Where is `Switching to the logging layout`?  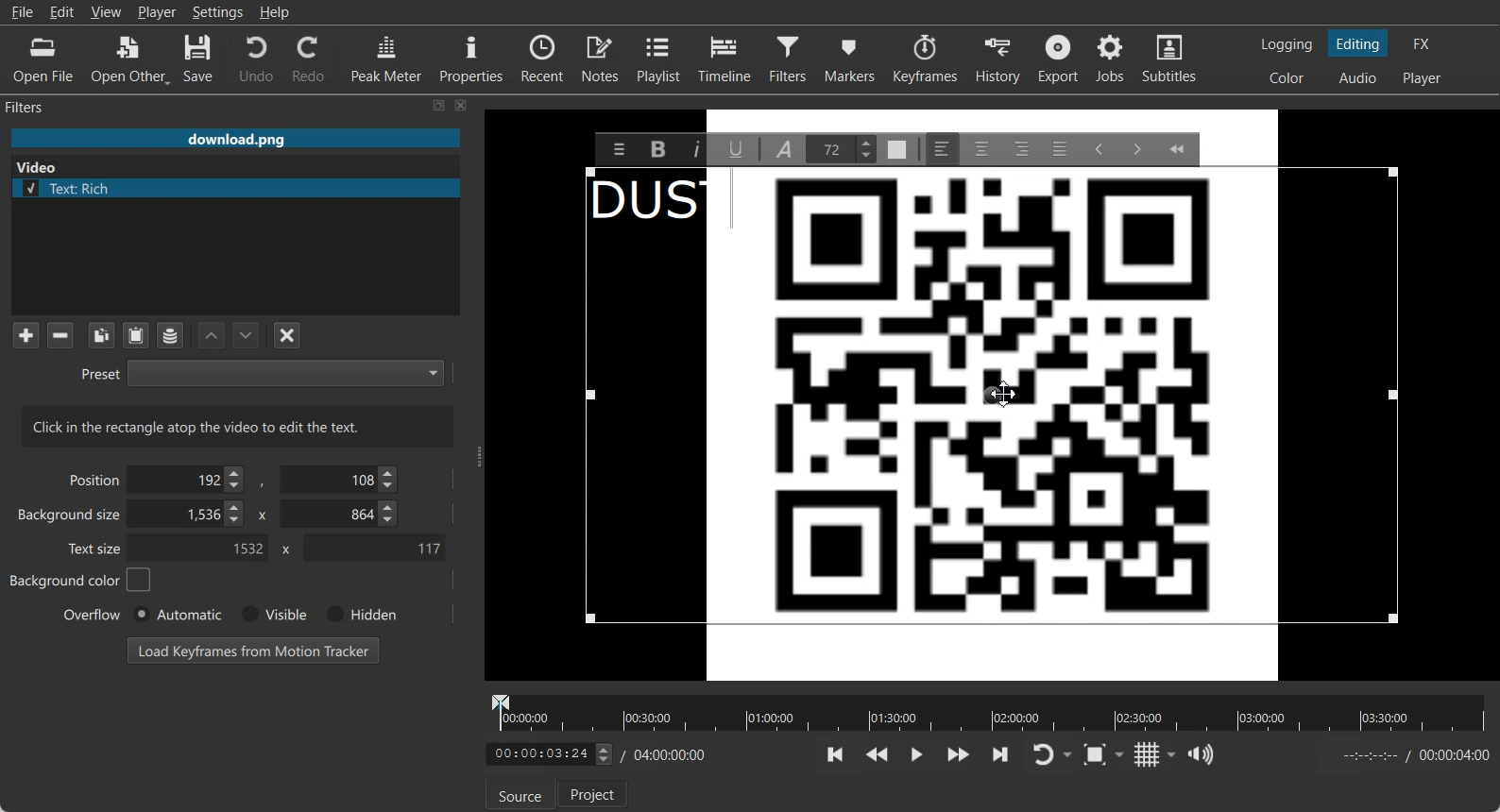
Switching to the logging layout is located at coordinates (1287, 44).